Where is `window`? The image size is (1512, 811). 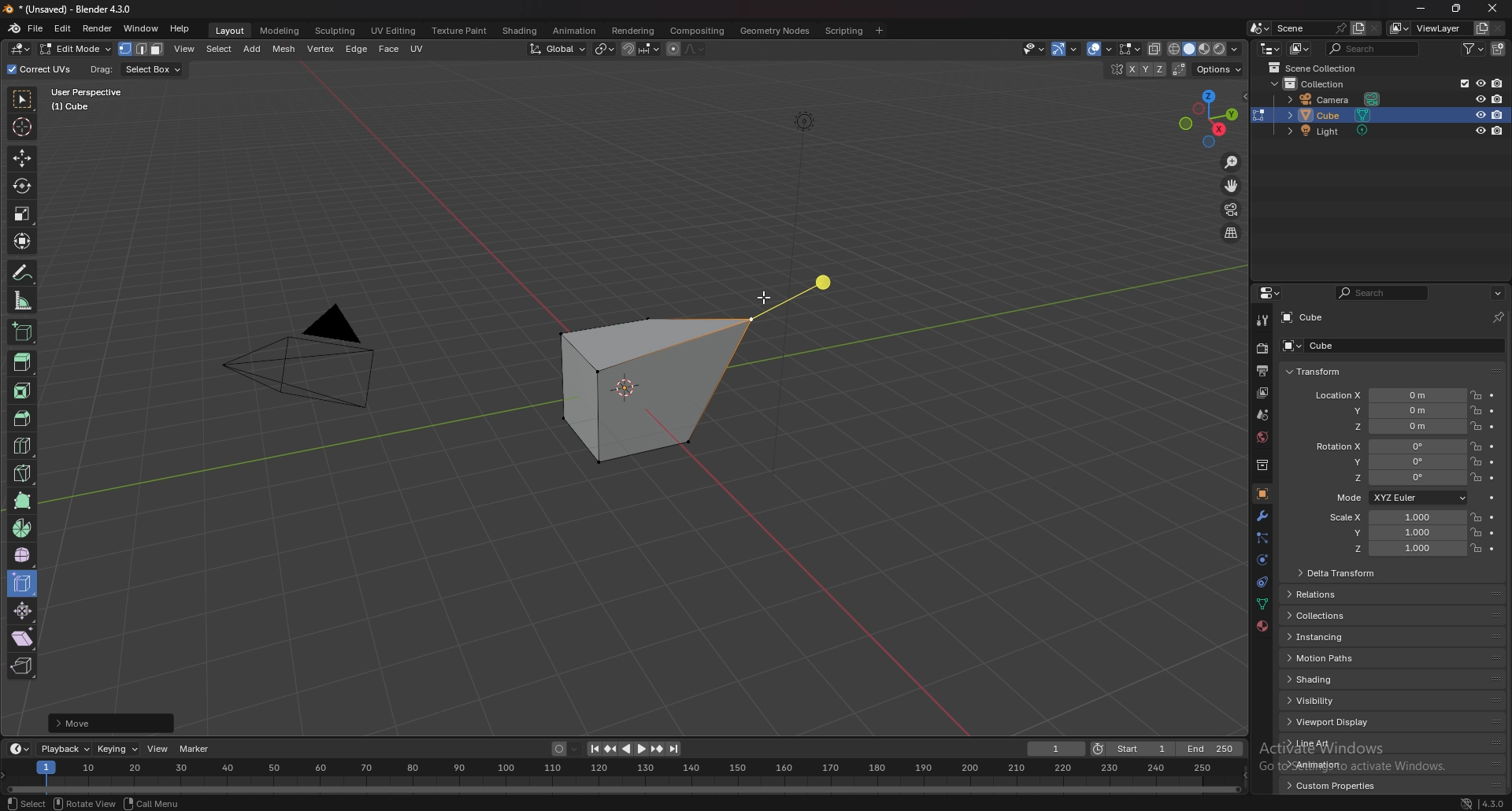 window is located at coordinates (141, 28).